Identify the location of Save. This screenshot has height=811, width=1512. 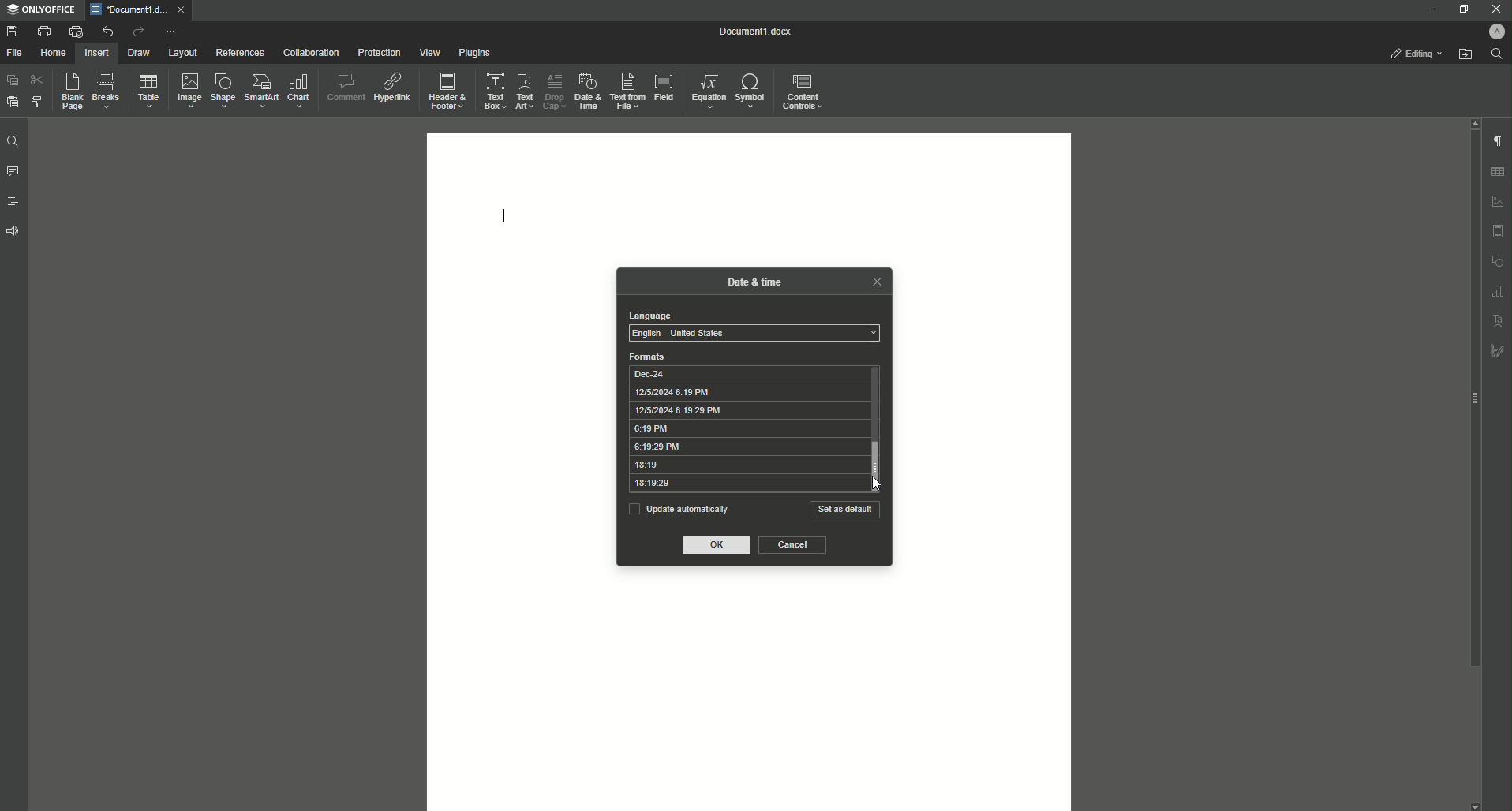
(12, 31).